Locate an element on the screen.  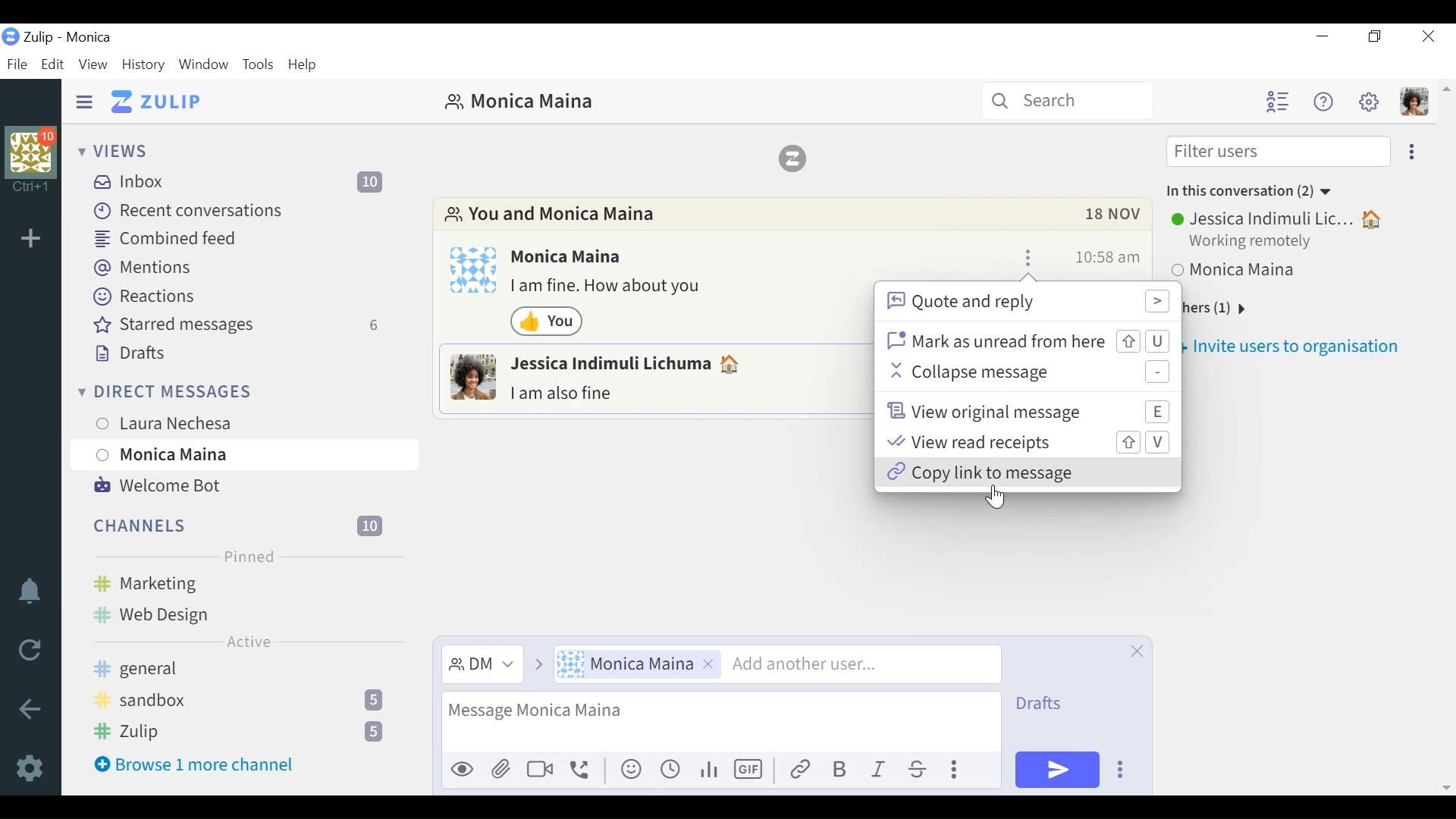
Organization profile is located at coordinates (31, 149).